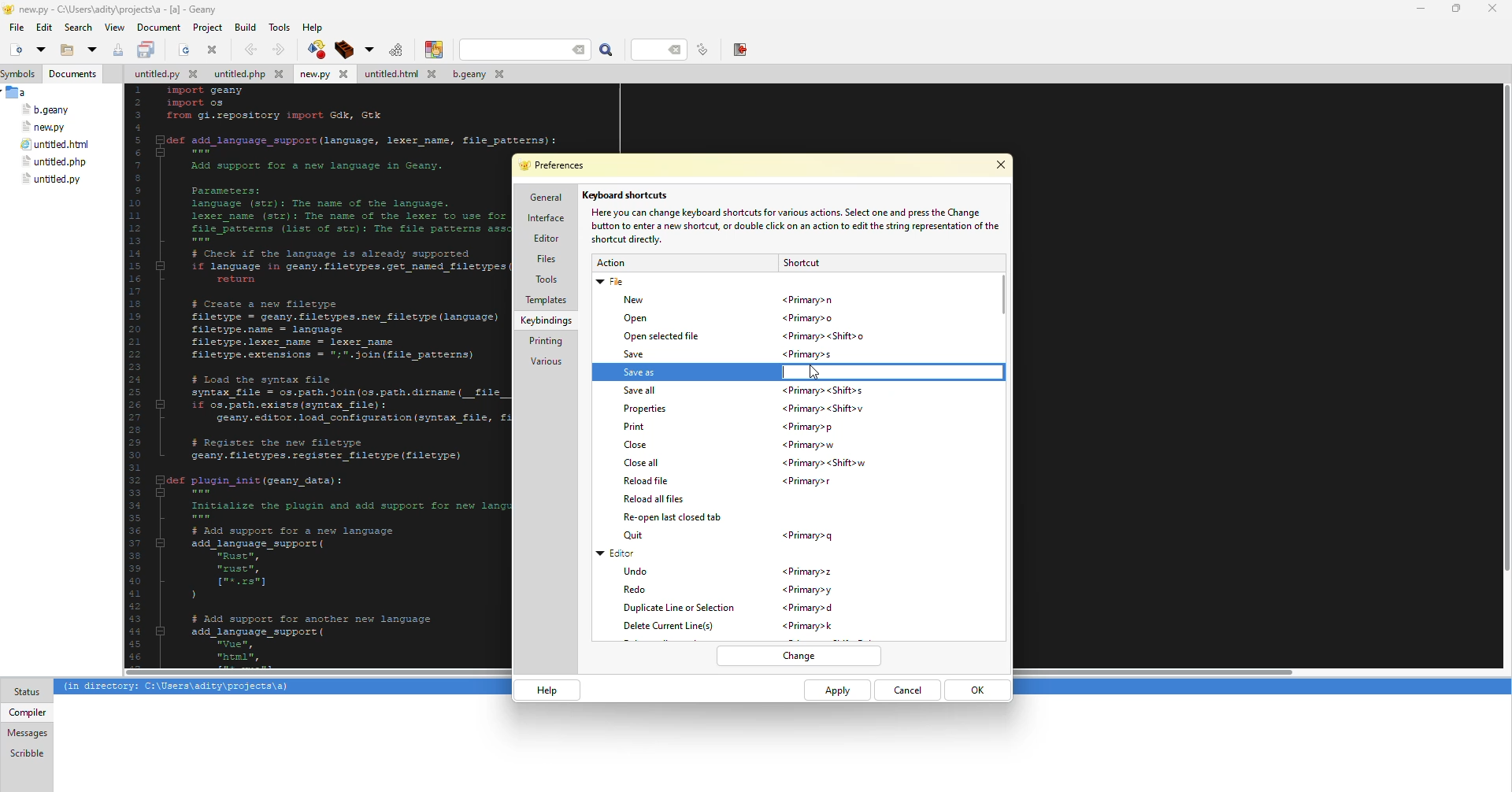  I want to click on search, so click(79, 28).